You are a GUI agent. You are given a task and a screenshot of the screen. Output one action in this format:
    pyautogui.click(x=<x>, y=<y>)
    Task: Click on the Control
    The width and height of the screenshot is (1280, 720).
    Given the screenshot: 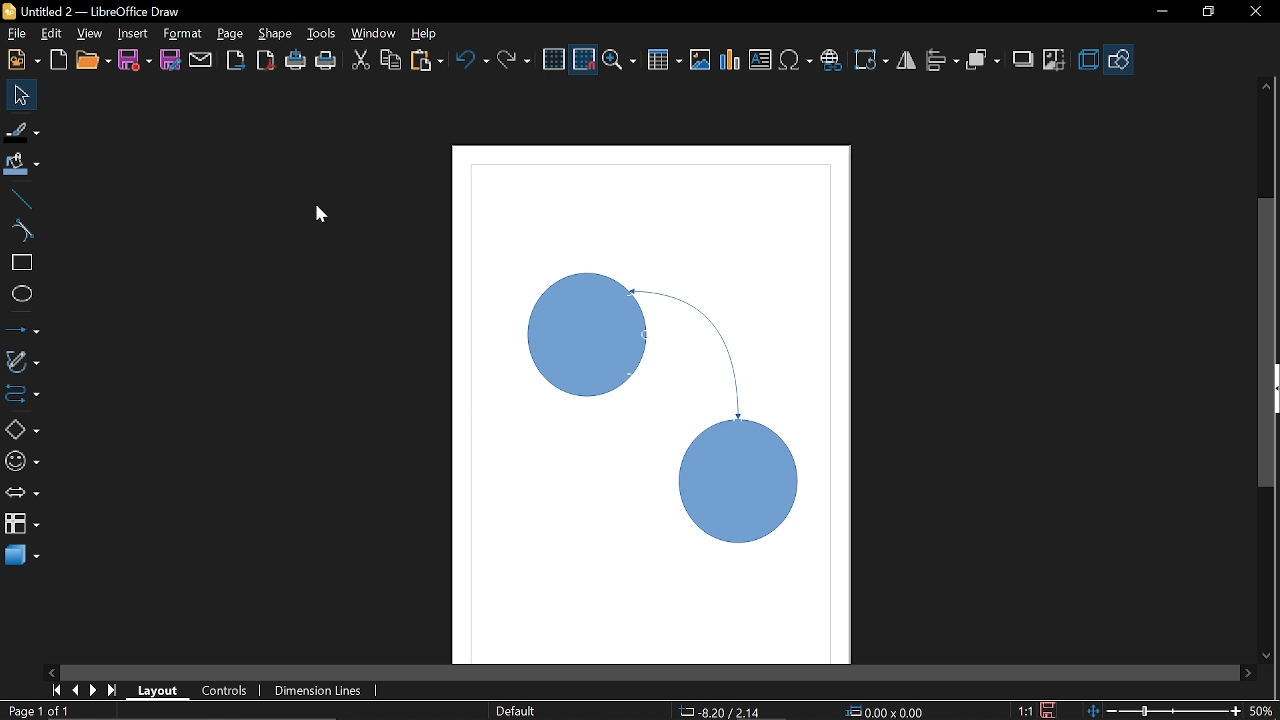 What is the action you would take?
    pyautogui.click(x=230, y=691)
    